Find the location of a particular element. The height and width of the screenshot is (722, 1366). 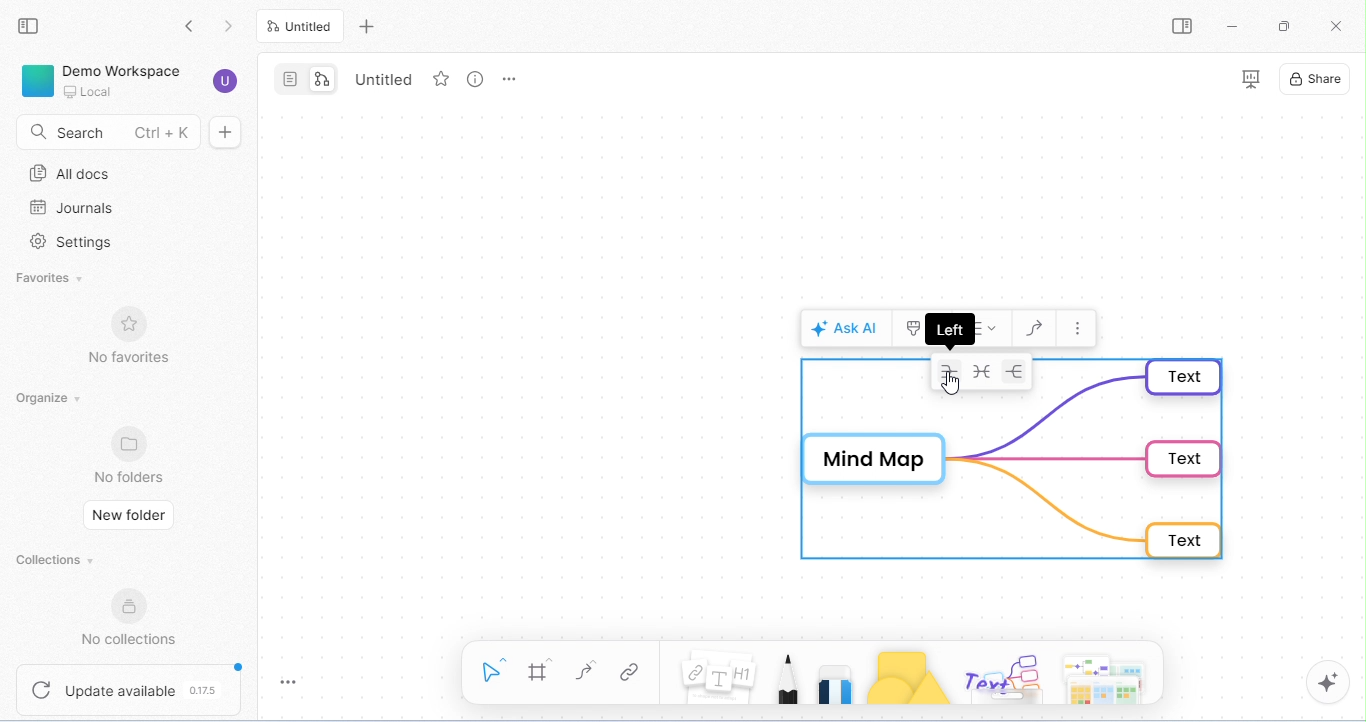

right is located at coordinates (1016, 372).